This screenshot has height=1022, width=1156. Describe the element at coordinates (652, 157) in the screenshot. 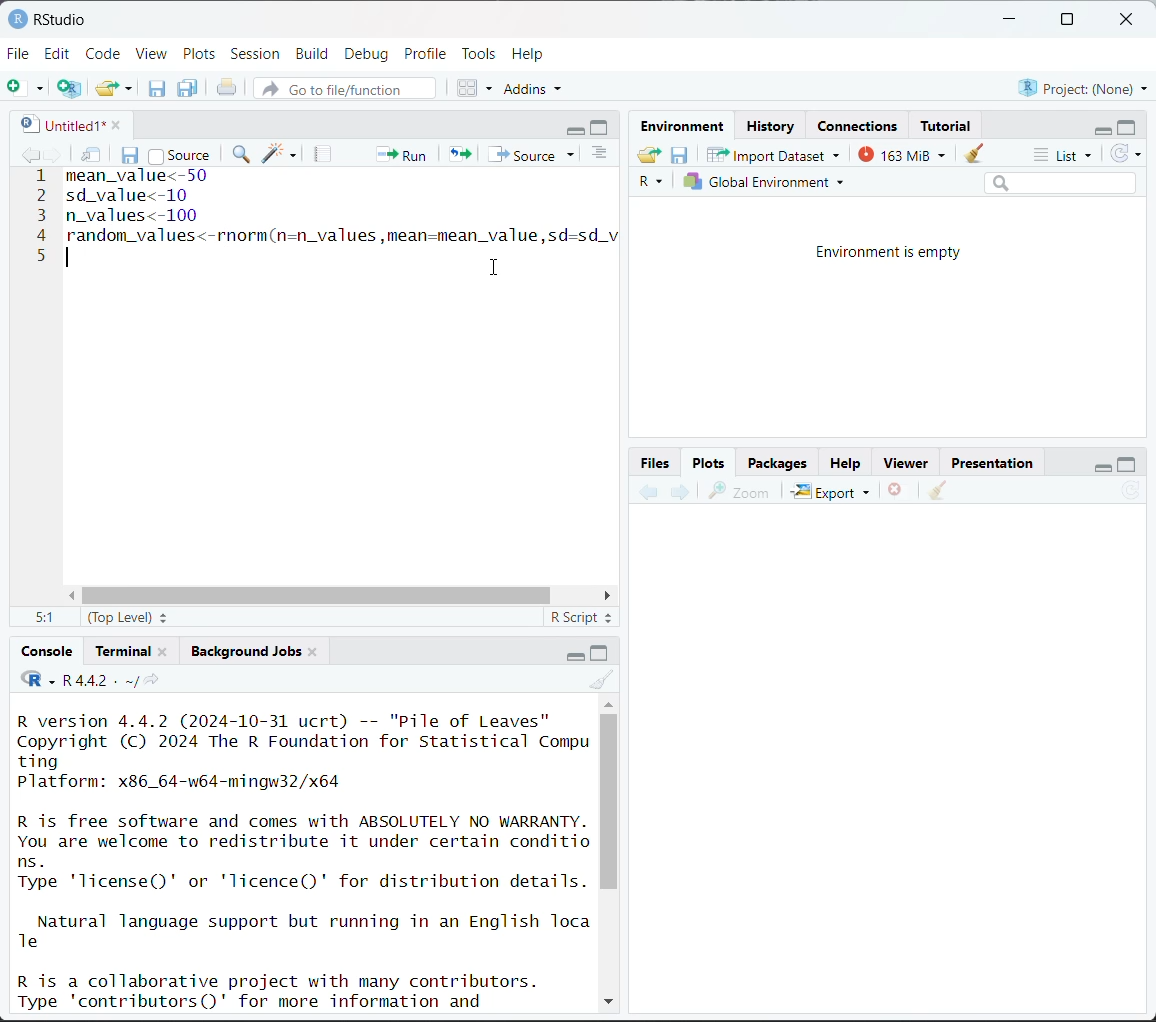

I see `load workspace` at that location.